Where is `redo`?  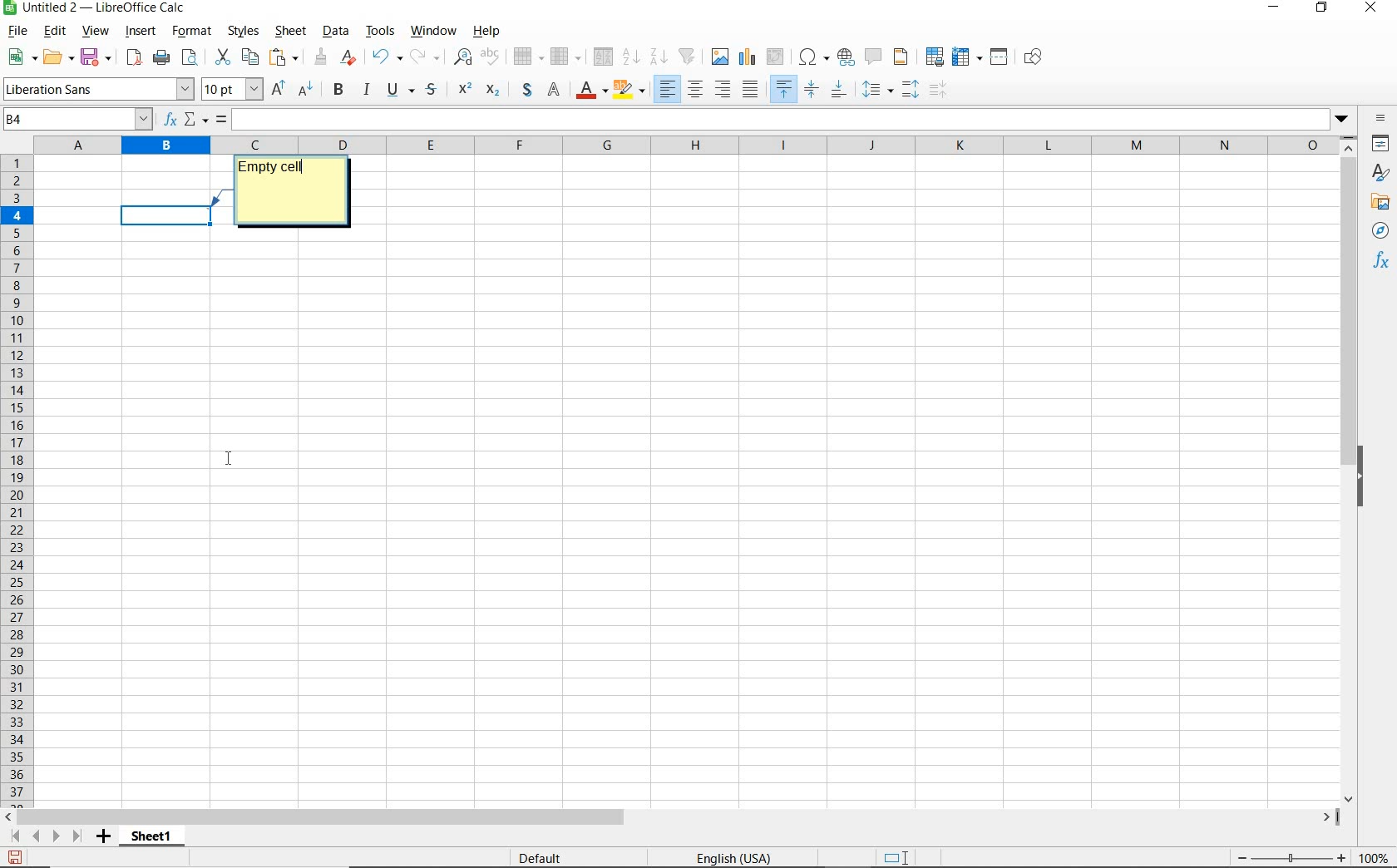 redo is located at coordinates (423, 57).